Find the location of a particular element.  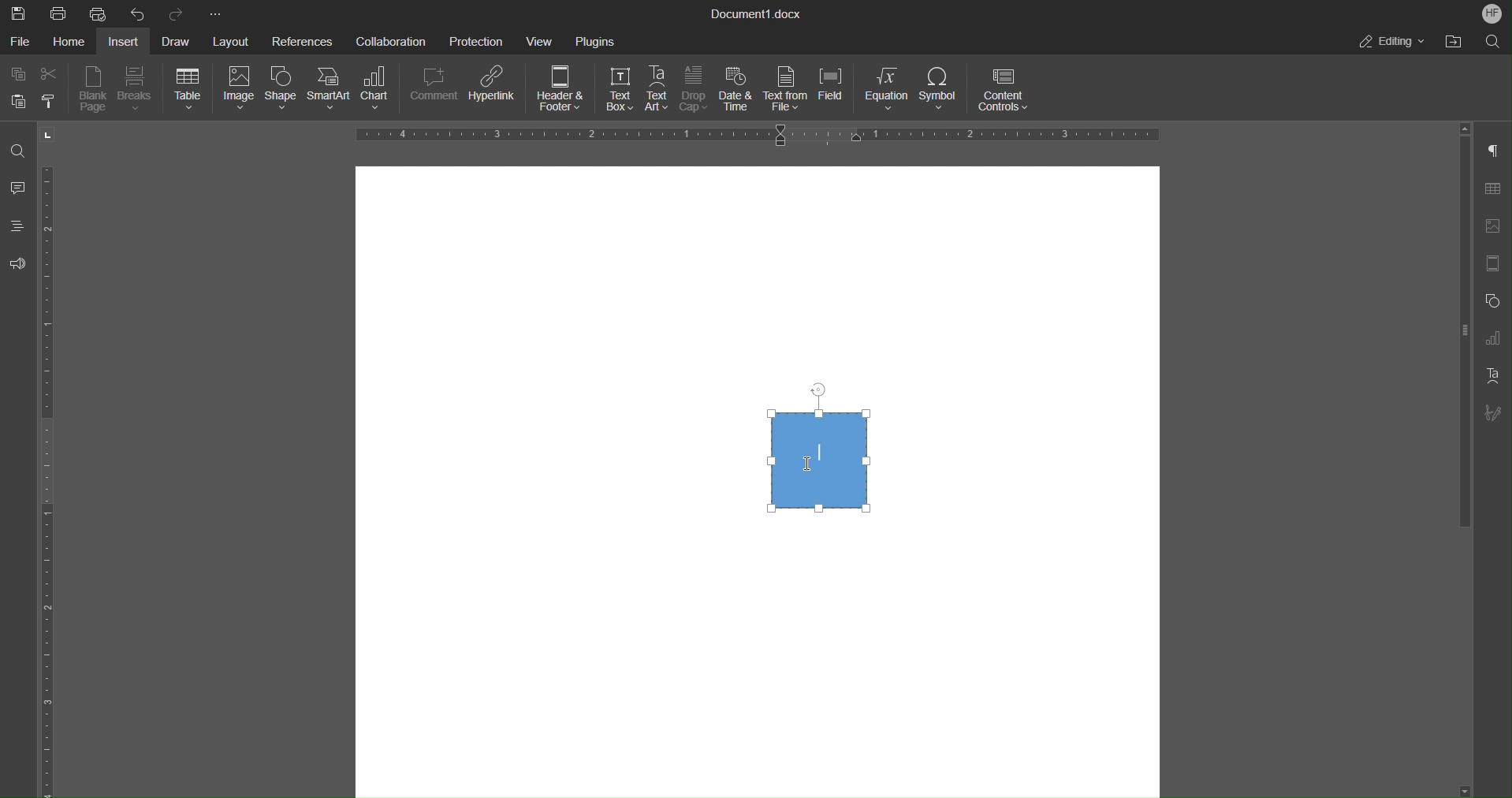

Insert Image is located at coordinates (1497, 226).